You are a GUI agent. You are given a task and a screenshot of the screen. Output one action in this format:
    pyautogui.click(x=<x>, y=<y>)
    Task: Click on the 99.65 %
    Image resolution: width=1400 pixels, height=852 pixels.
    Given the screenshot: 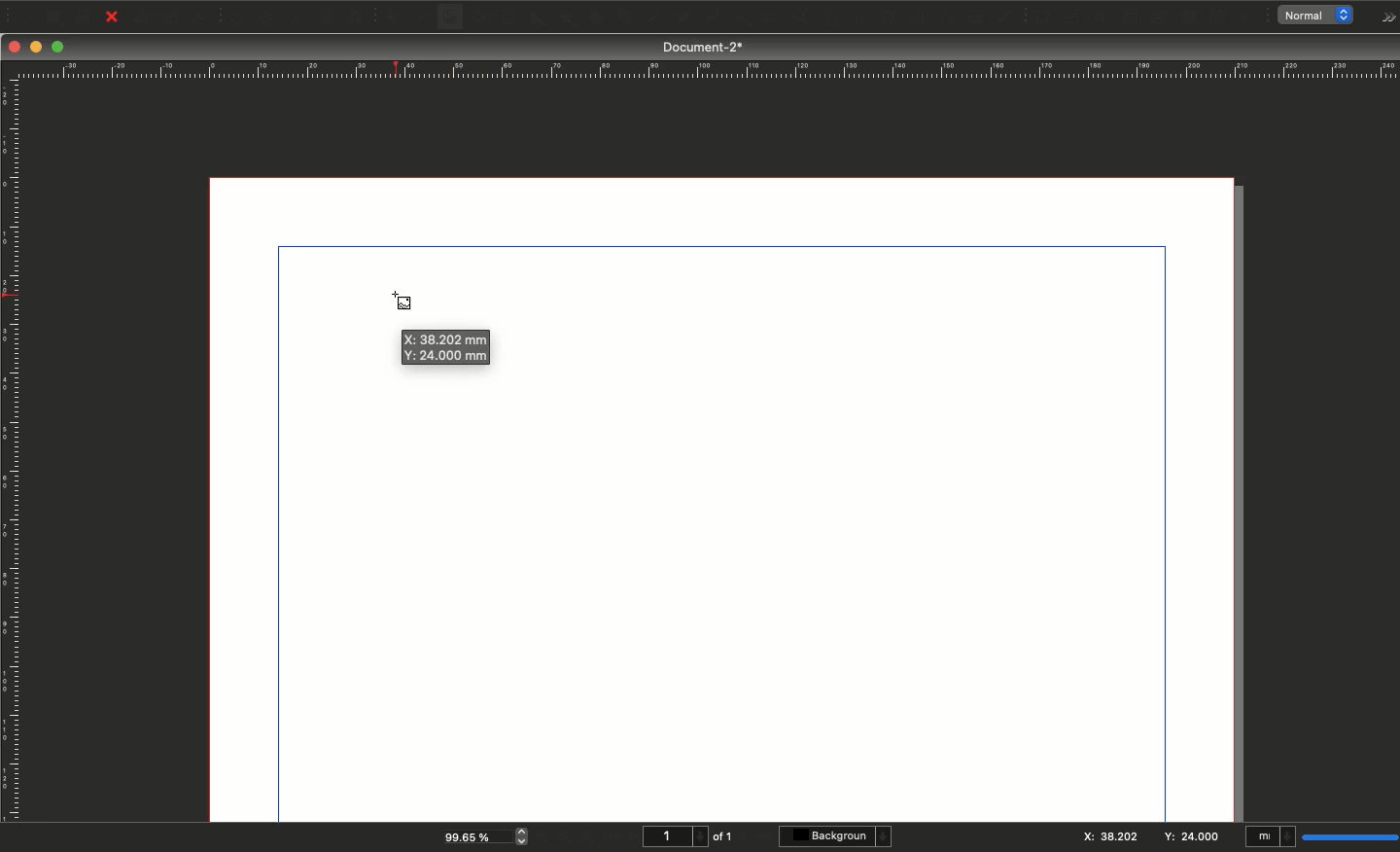 What is the action you would take?
    pyautogui.click(x=472, y=835)
    